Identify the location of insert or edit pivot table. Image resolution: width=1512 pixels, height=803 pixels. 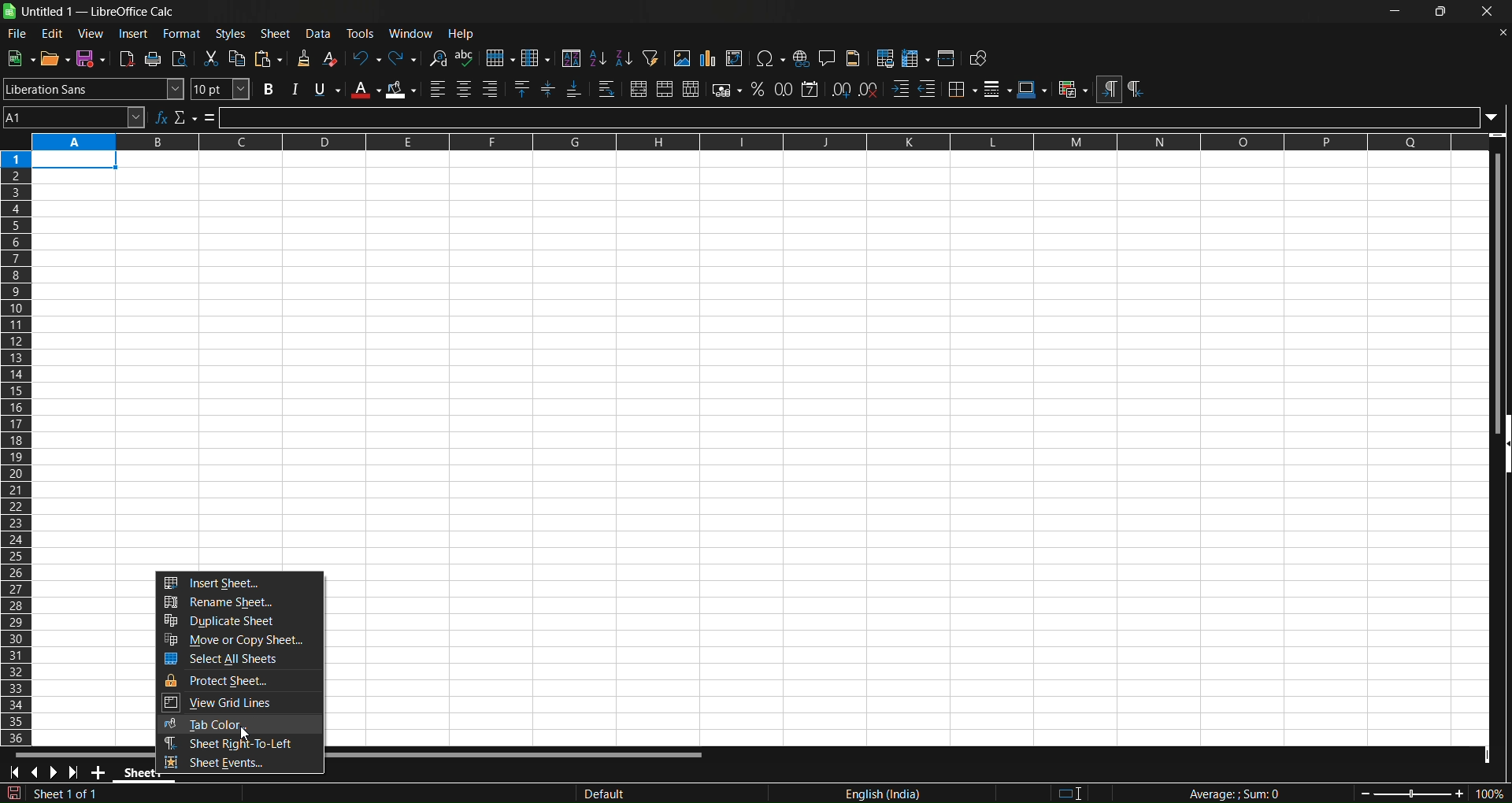
(736, 58).